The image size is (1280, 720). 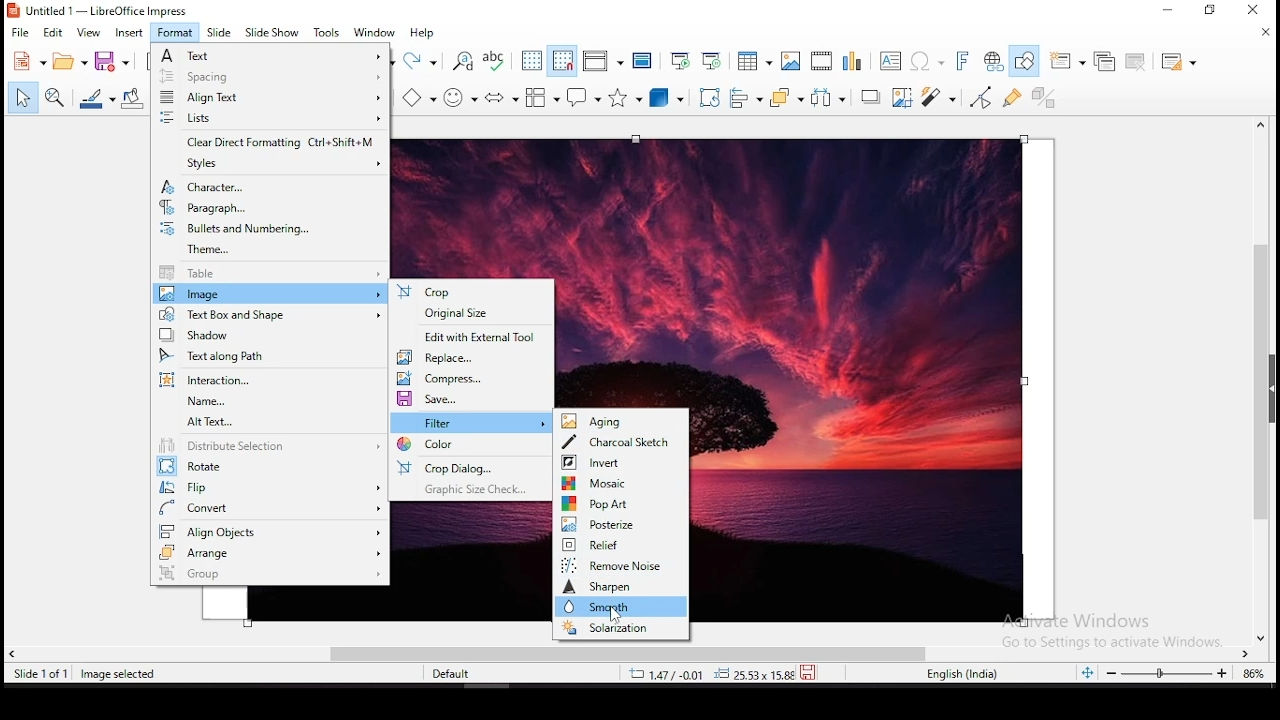 What do you see at coordinates (1136, 61) in the screenshot?
I see `delete slide` at bounding box center [1136, 61].